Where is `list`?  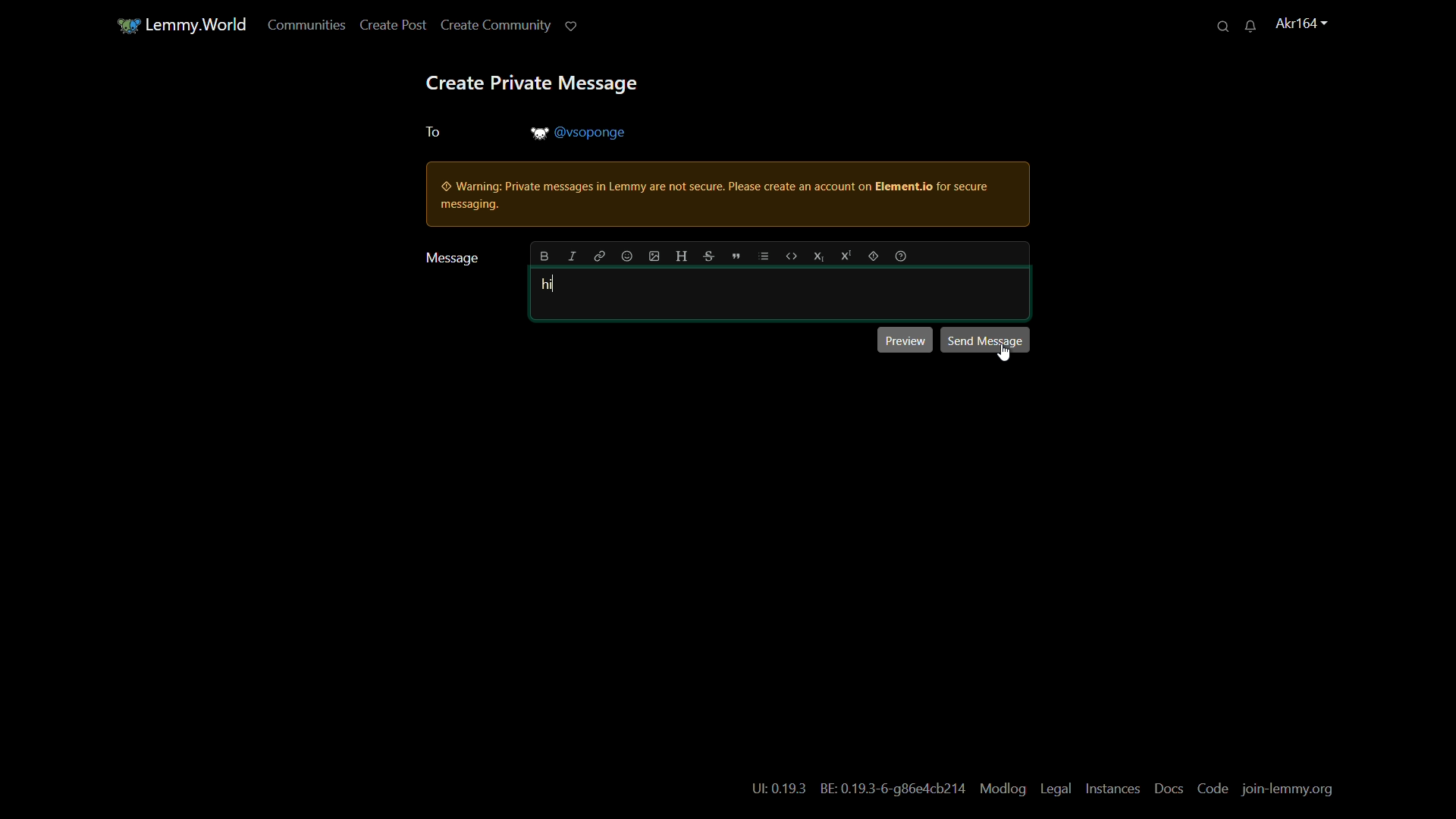 list is located at coordinates (765, 256).